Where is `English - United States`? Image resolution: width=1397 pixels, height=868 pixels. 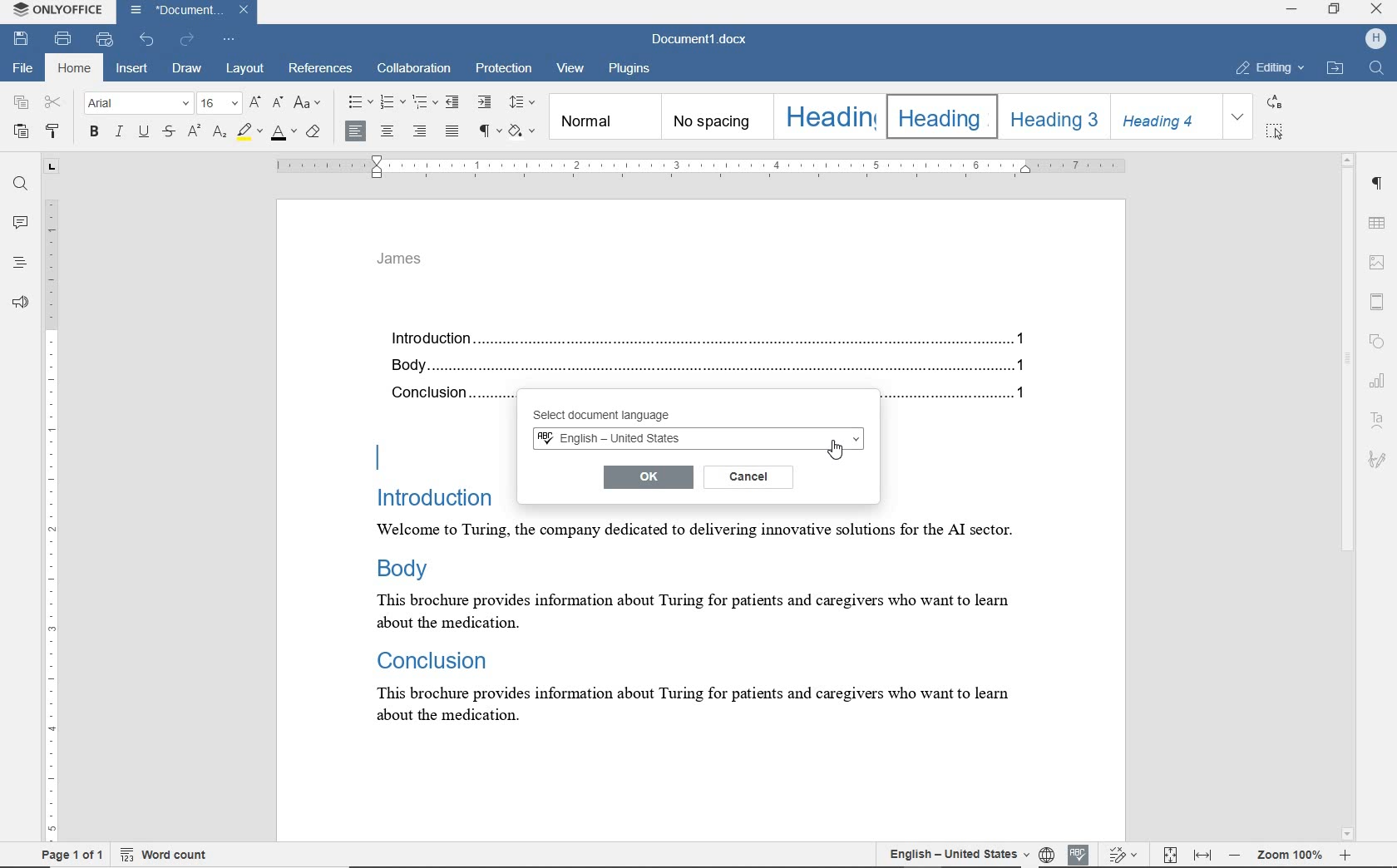
English - United States is located at coordinates (696, 440).